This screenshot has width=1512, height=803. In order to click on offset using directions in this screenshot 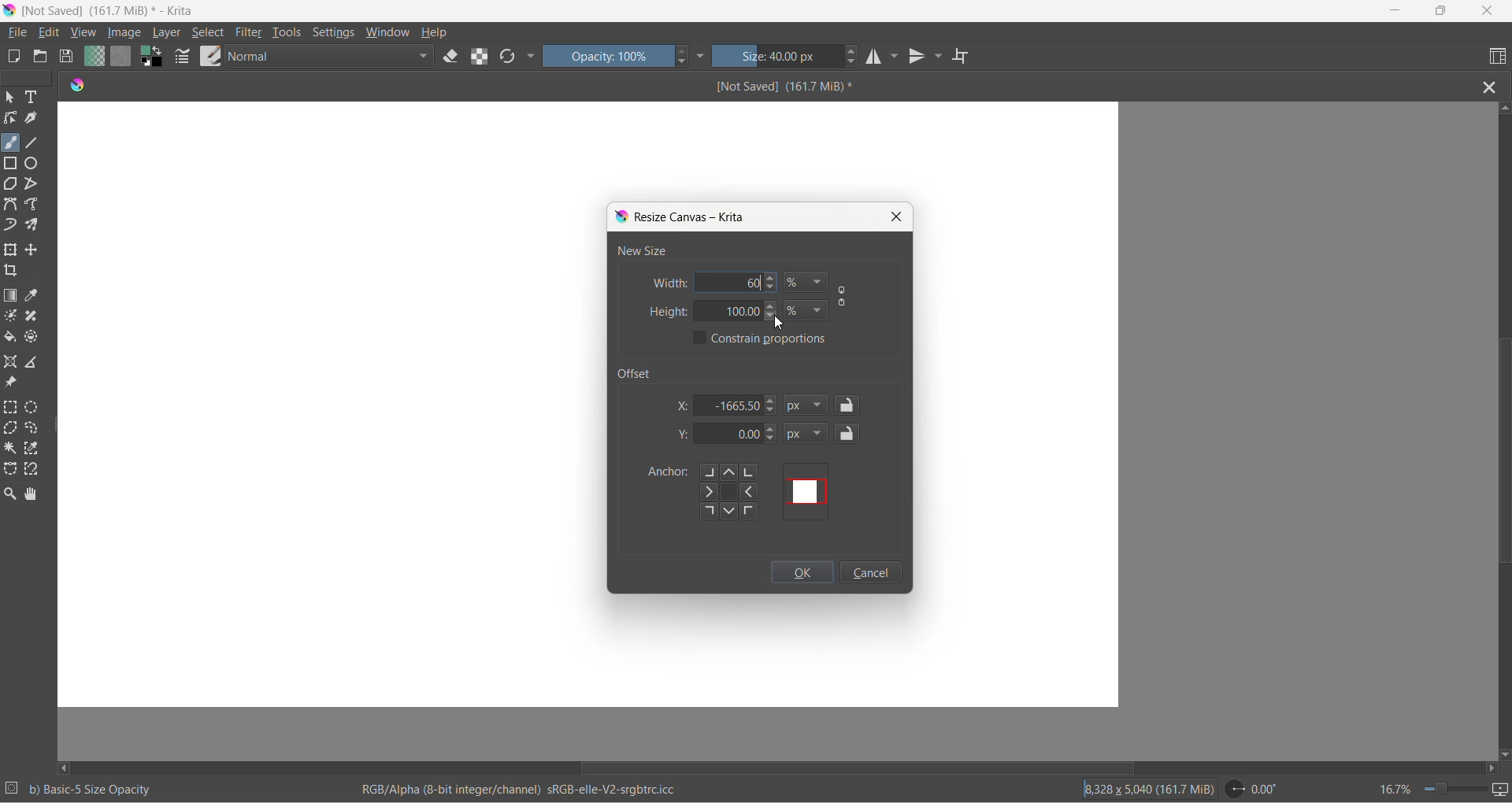, I will do `click(735, 492)`.